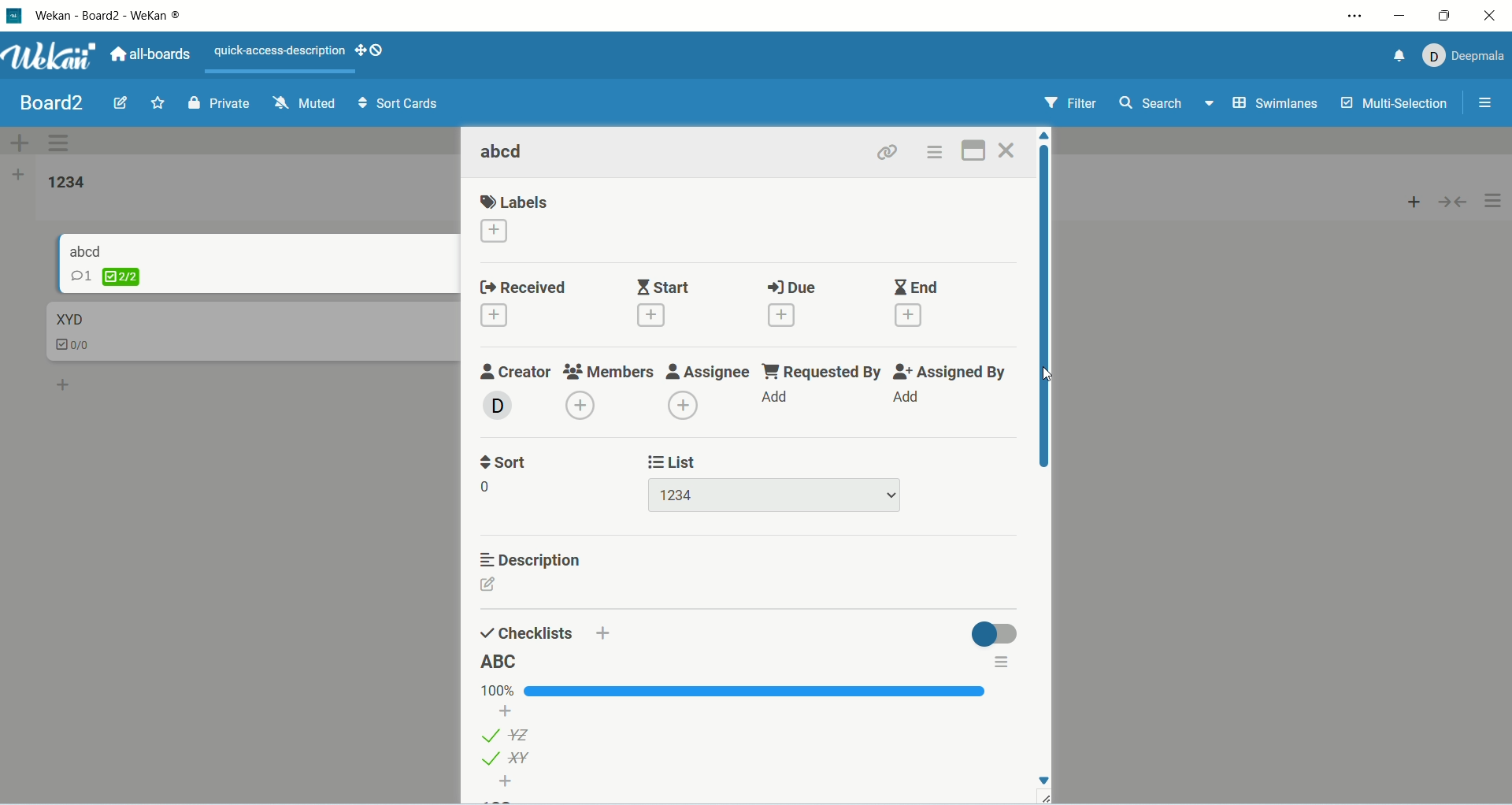 This screenshot has height=805, width=1512. Describe the element at coordinates (580, 405) in the screenshot. I see `add` at that location.